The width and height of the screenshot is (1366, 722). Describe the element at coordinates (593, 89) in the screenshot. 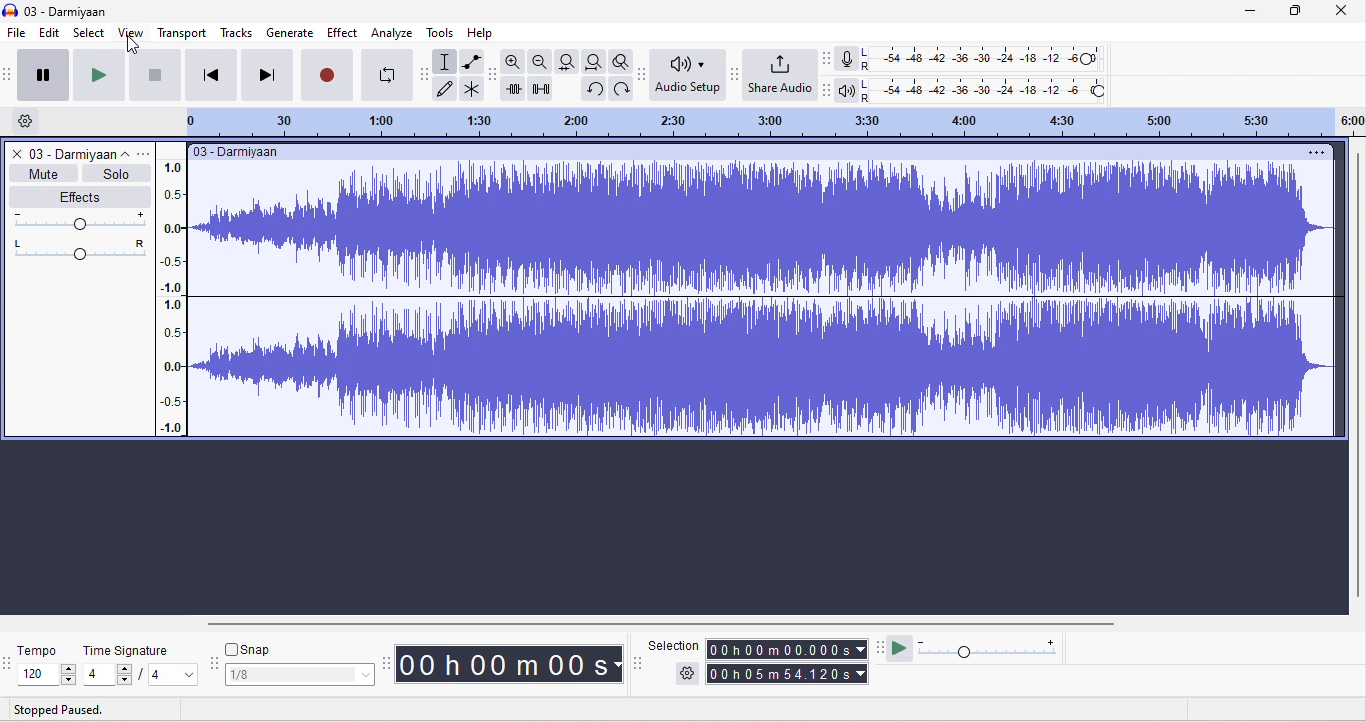

I see `redo` at that location.